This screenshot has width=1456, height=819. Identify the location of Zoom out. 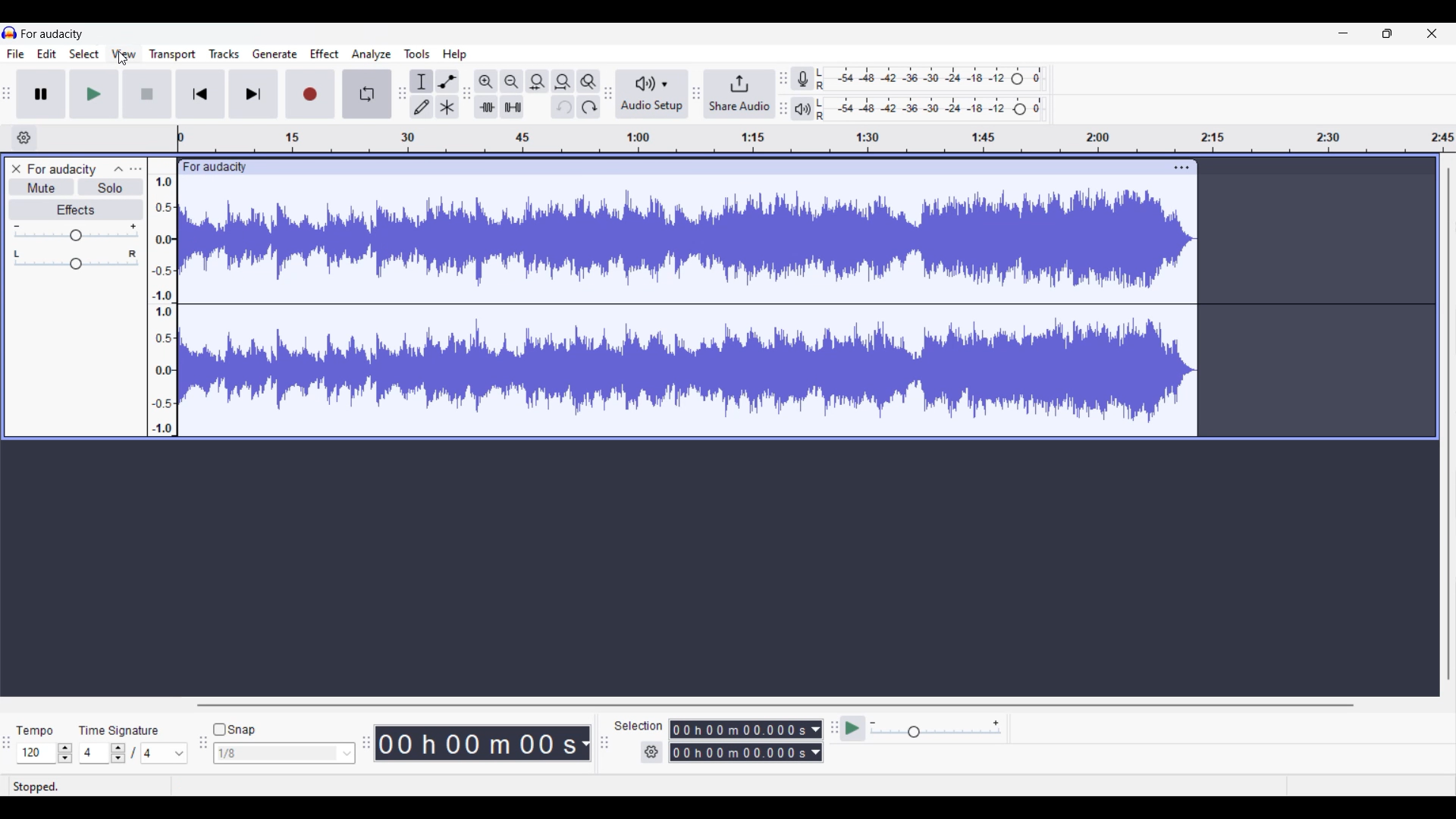
(511, 82).